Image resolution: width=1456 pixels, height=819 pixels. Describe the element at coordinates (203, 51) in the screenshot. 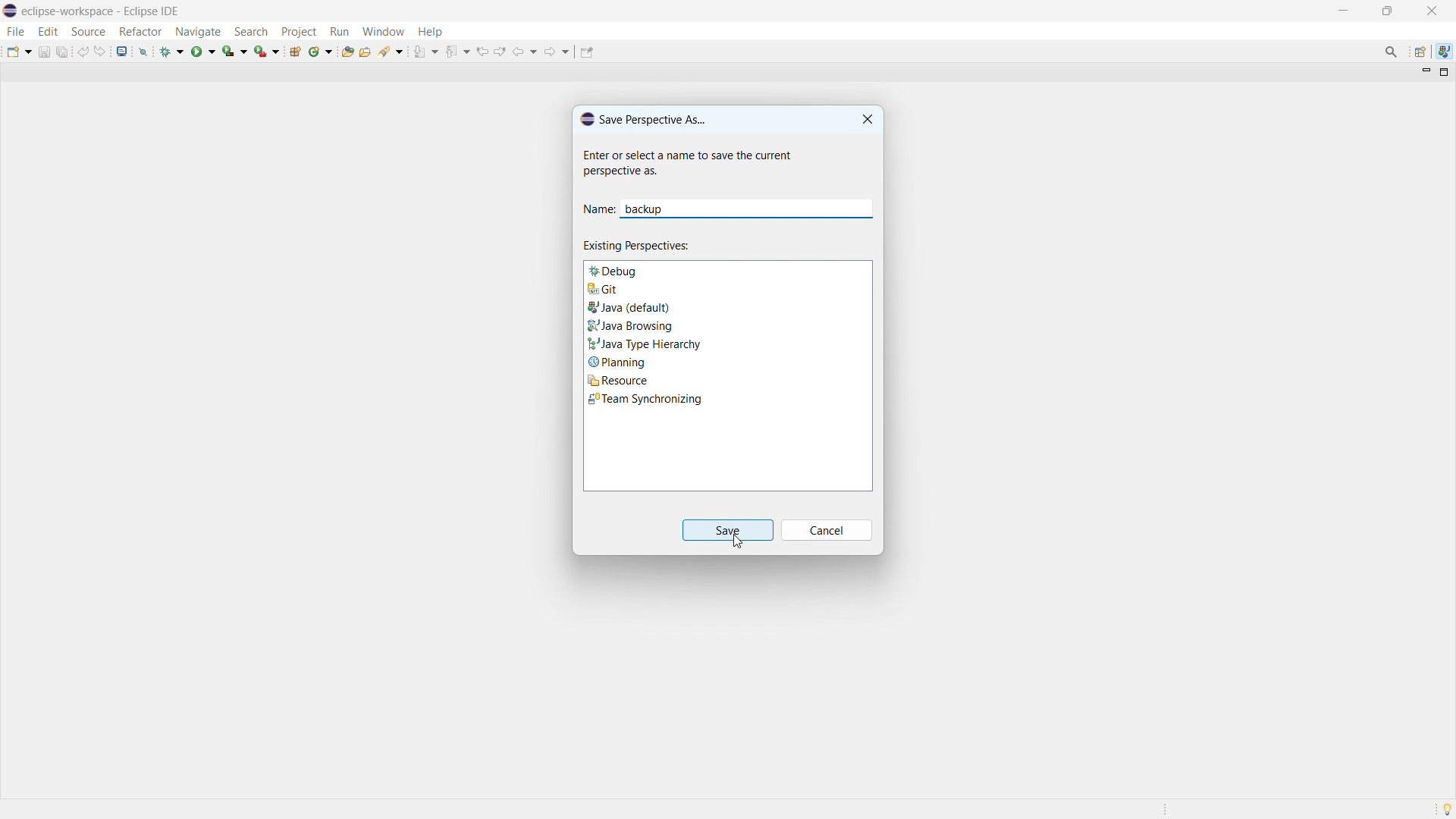

I see `run` at that location.